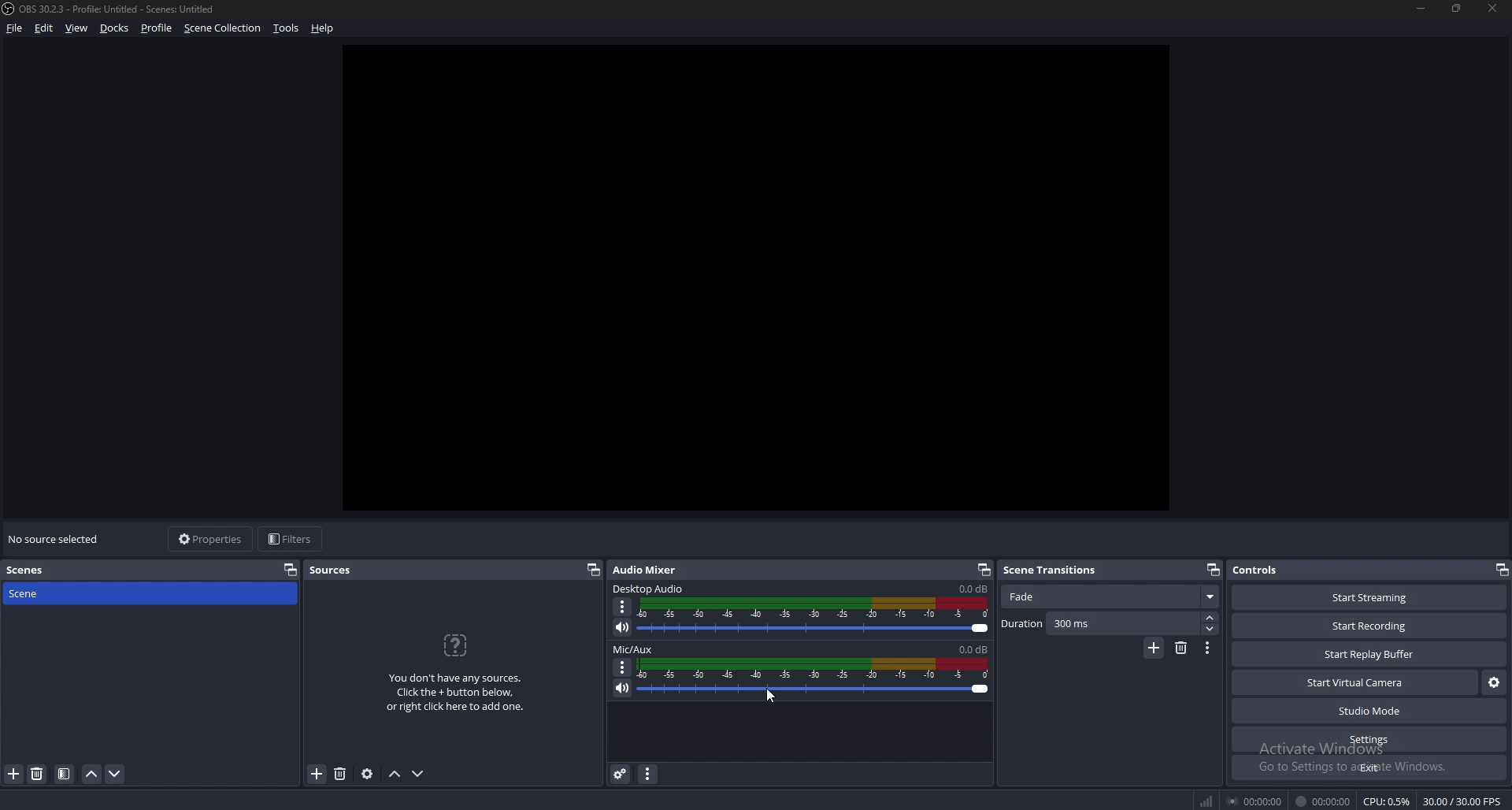 Image resolution: width=1512 pixels, height=810 pixels. I want to click on mic/aux volume adjust, so click(815, 678).